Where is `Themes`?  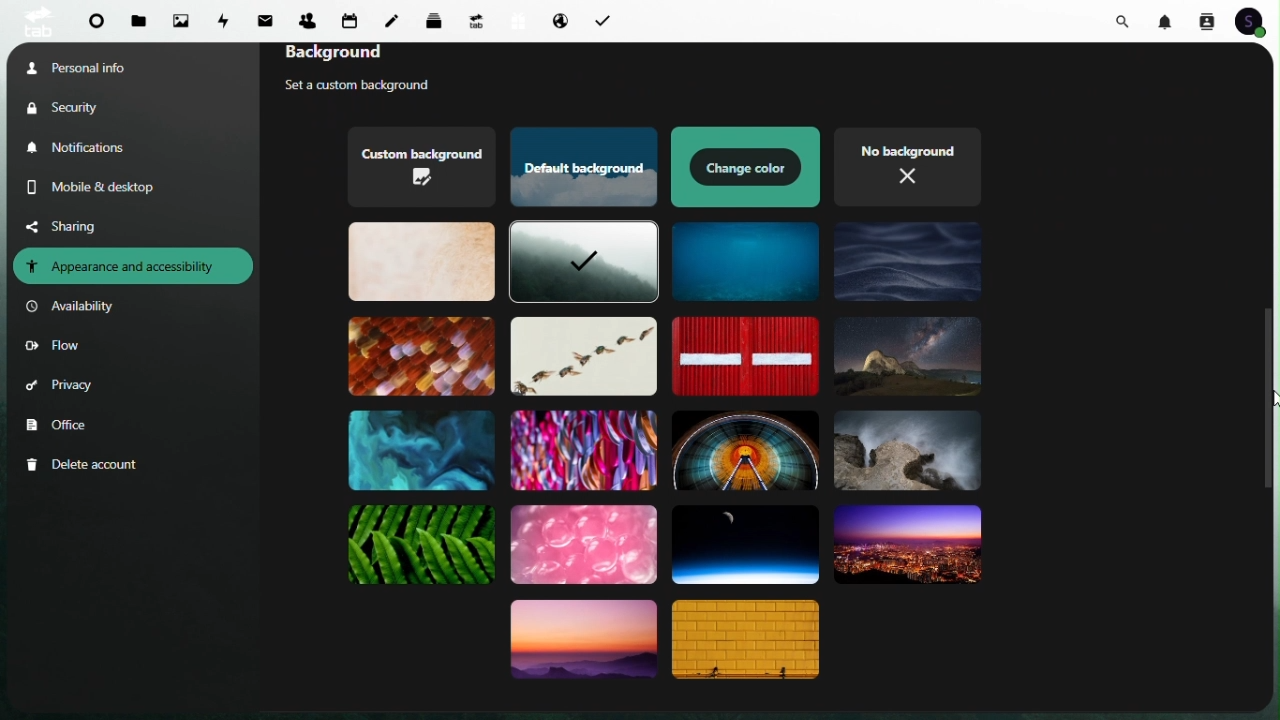 Themes is located at coordinates (423, 546).